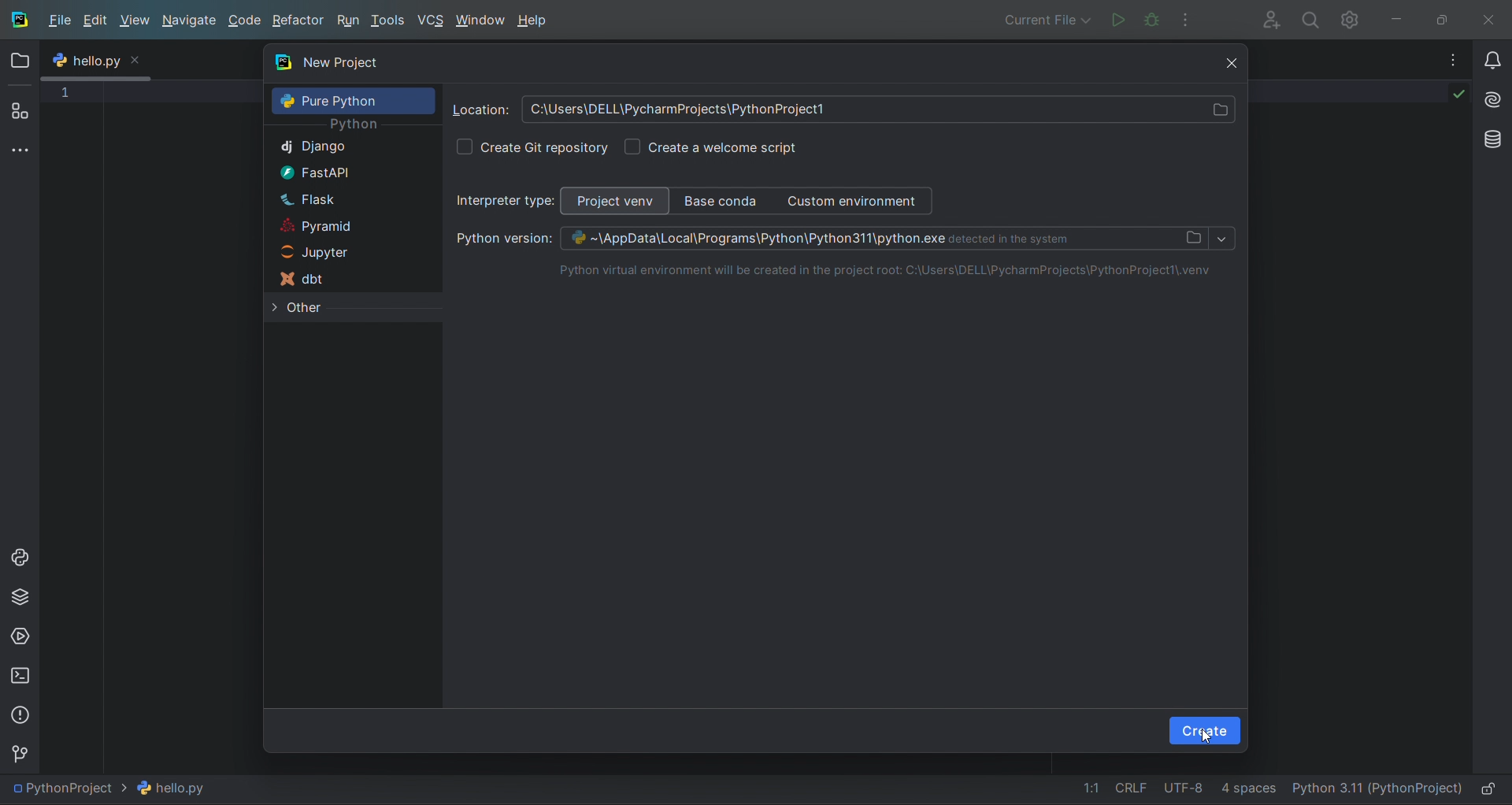  What do you see at coordinates (858, 201) in the screenshot?
I see `custom environment` at bounding box center [858, 201].